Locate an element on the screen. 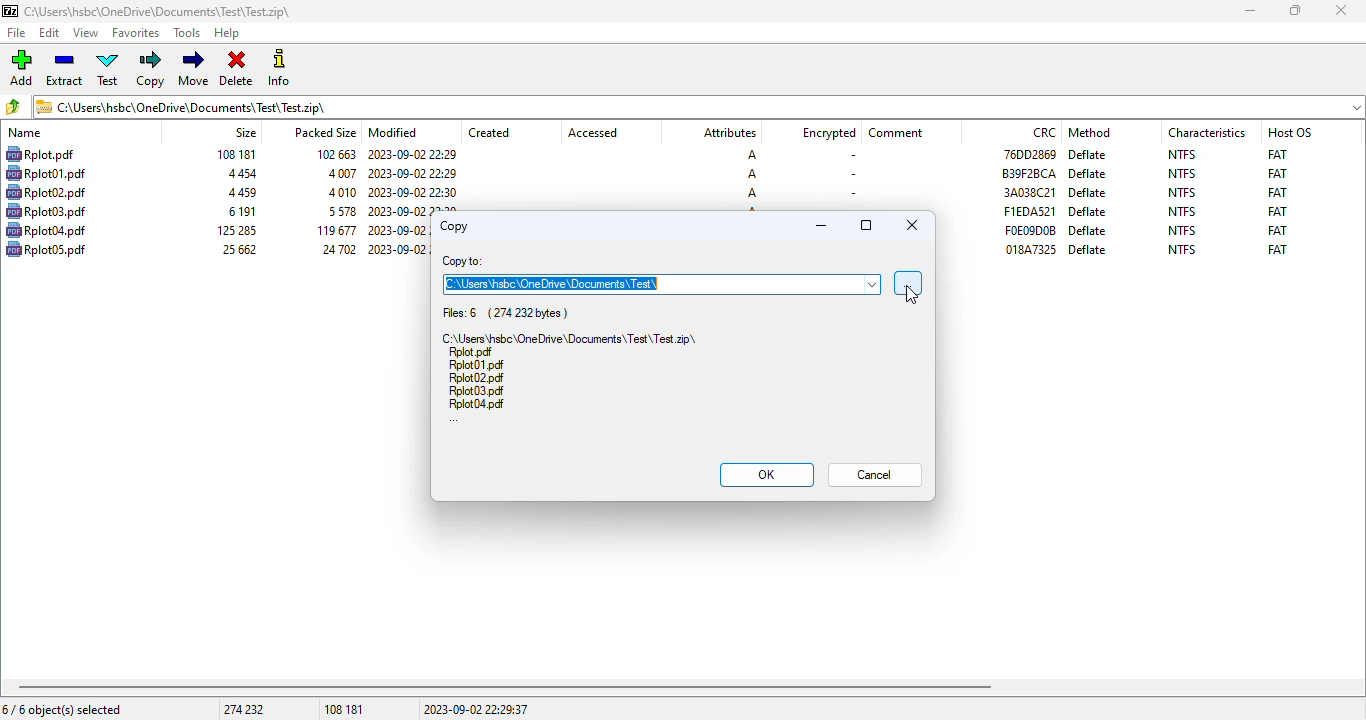  view is located at coordinates (86, 33).